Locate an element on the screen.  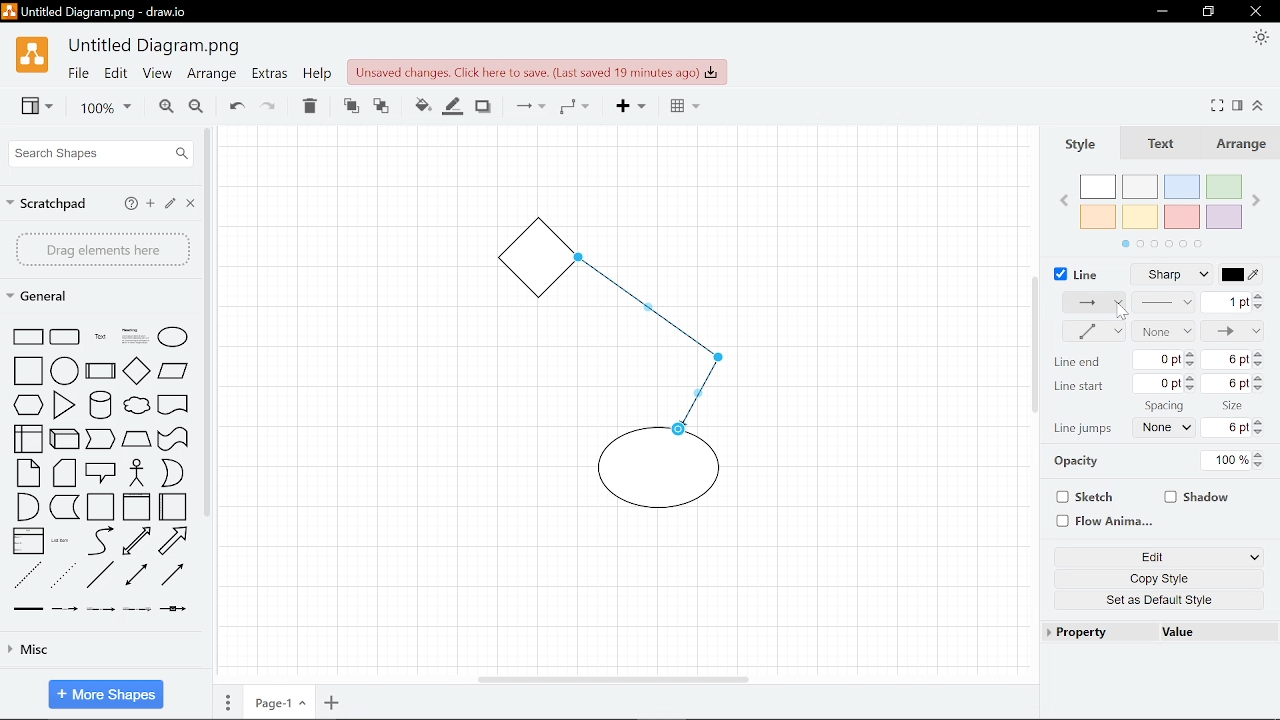
Line start spacing is located at coordinates (1230, 384).